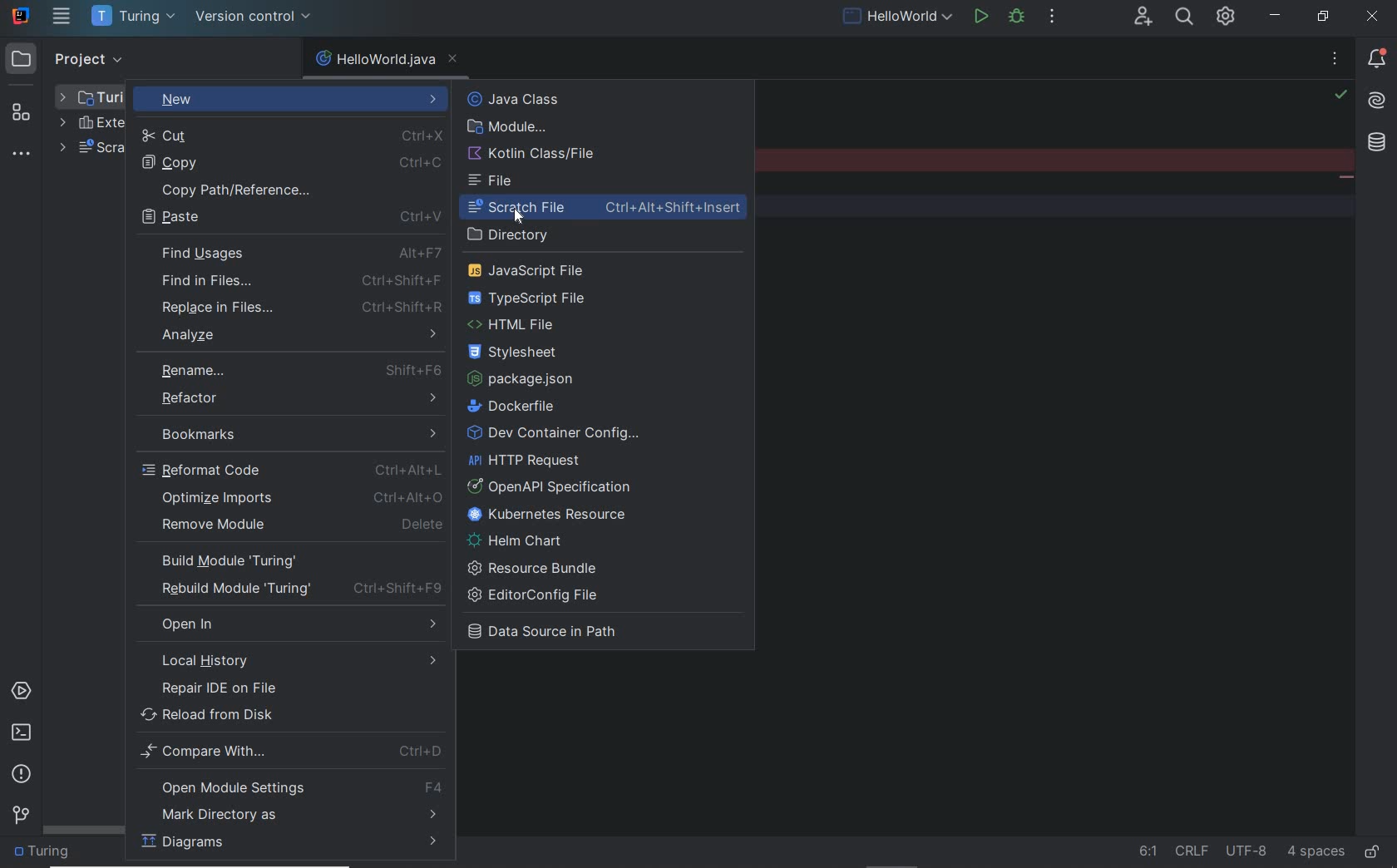 Image resolution: width=1397 pixels, height=868 pixels. Describe the element at coordinates (297, 624) in the screenshot. I see `open in` at that location.